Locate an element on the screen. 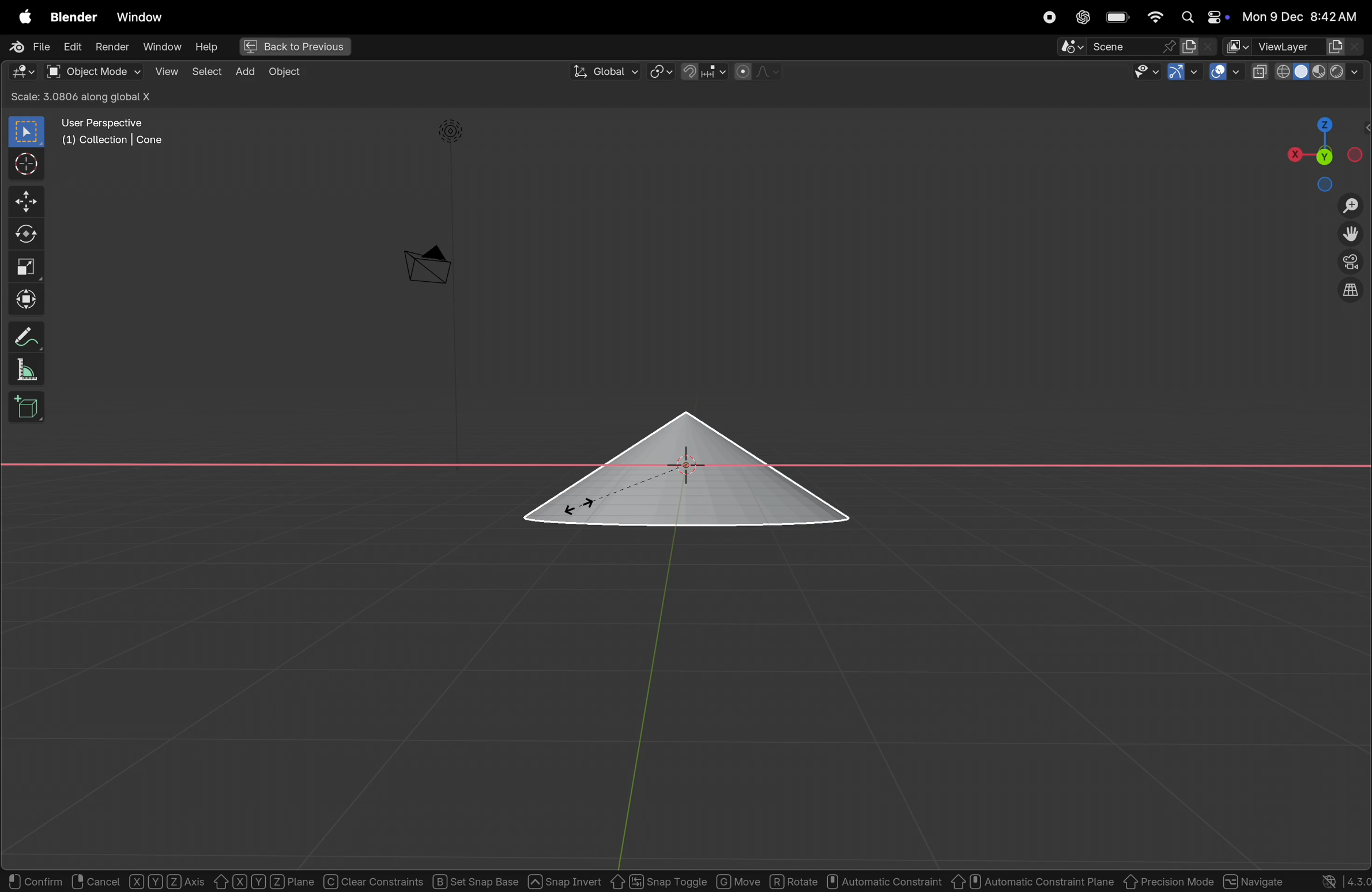 Image resolution: width=1372 pixels, height=892 pixels. proportional objects is located at coordinates (760, 71).